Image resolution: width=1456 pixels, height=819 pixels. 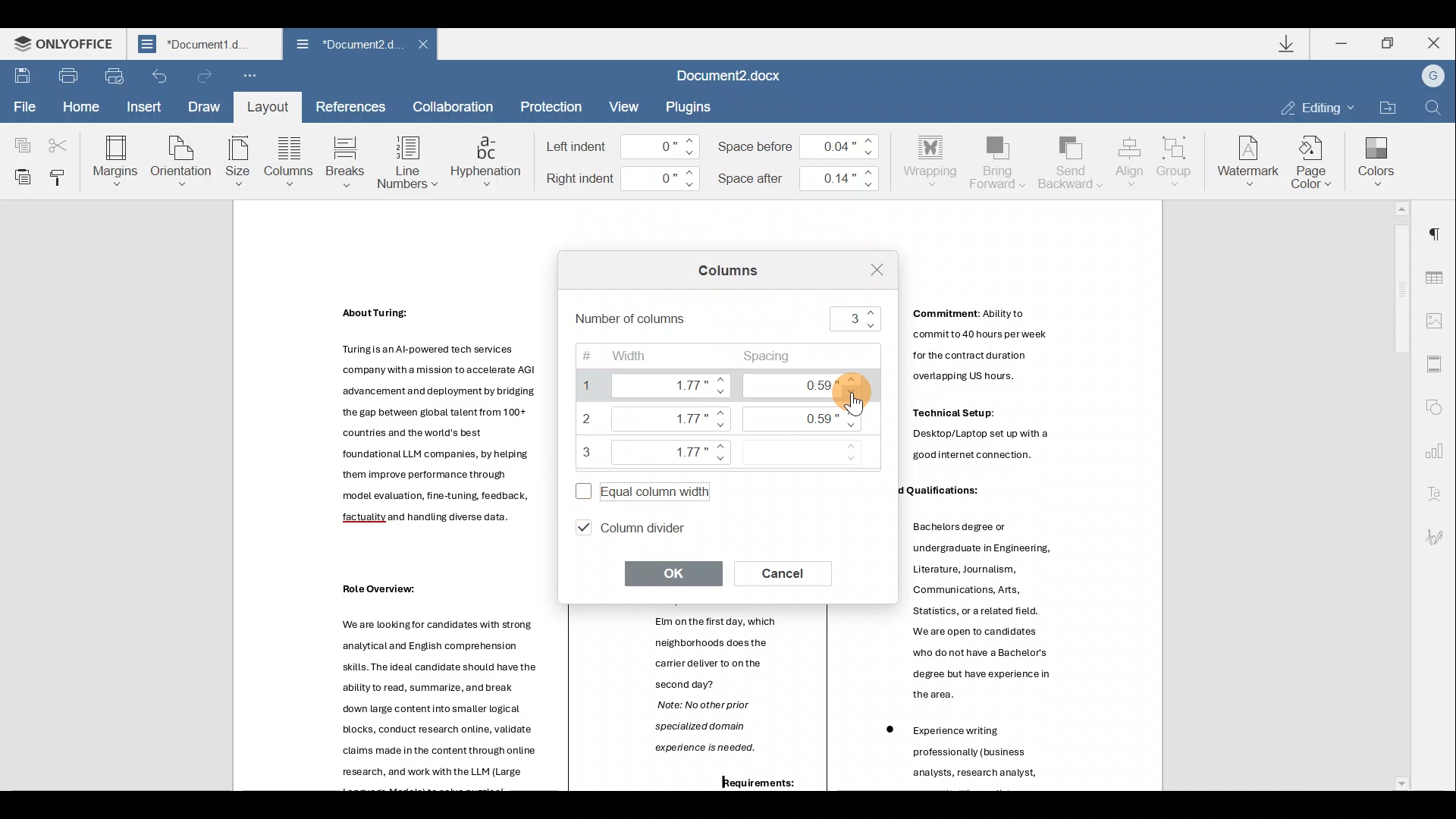 What do you see at coordinates (352, 106) in the screenshot?
I see `References` at bounding box center [352, 106].